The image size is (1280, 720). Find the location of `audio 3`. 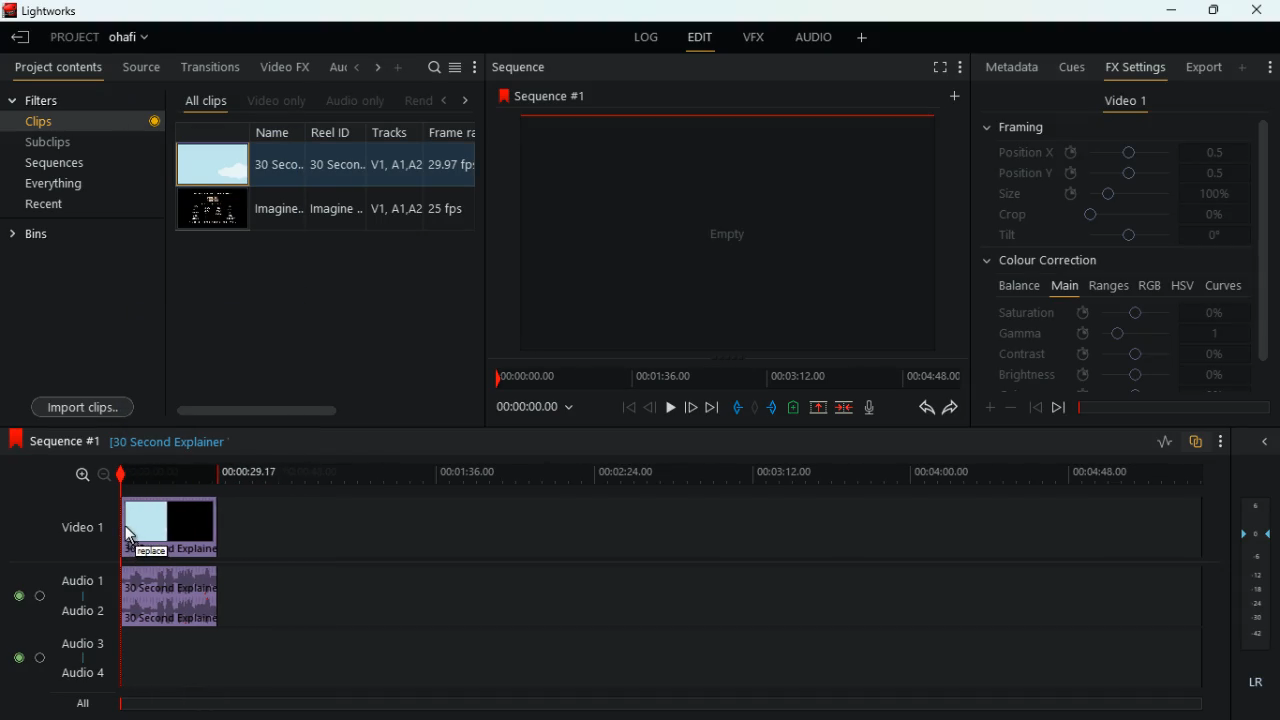

audio 3 is located at coordinates (81, 644).